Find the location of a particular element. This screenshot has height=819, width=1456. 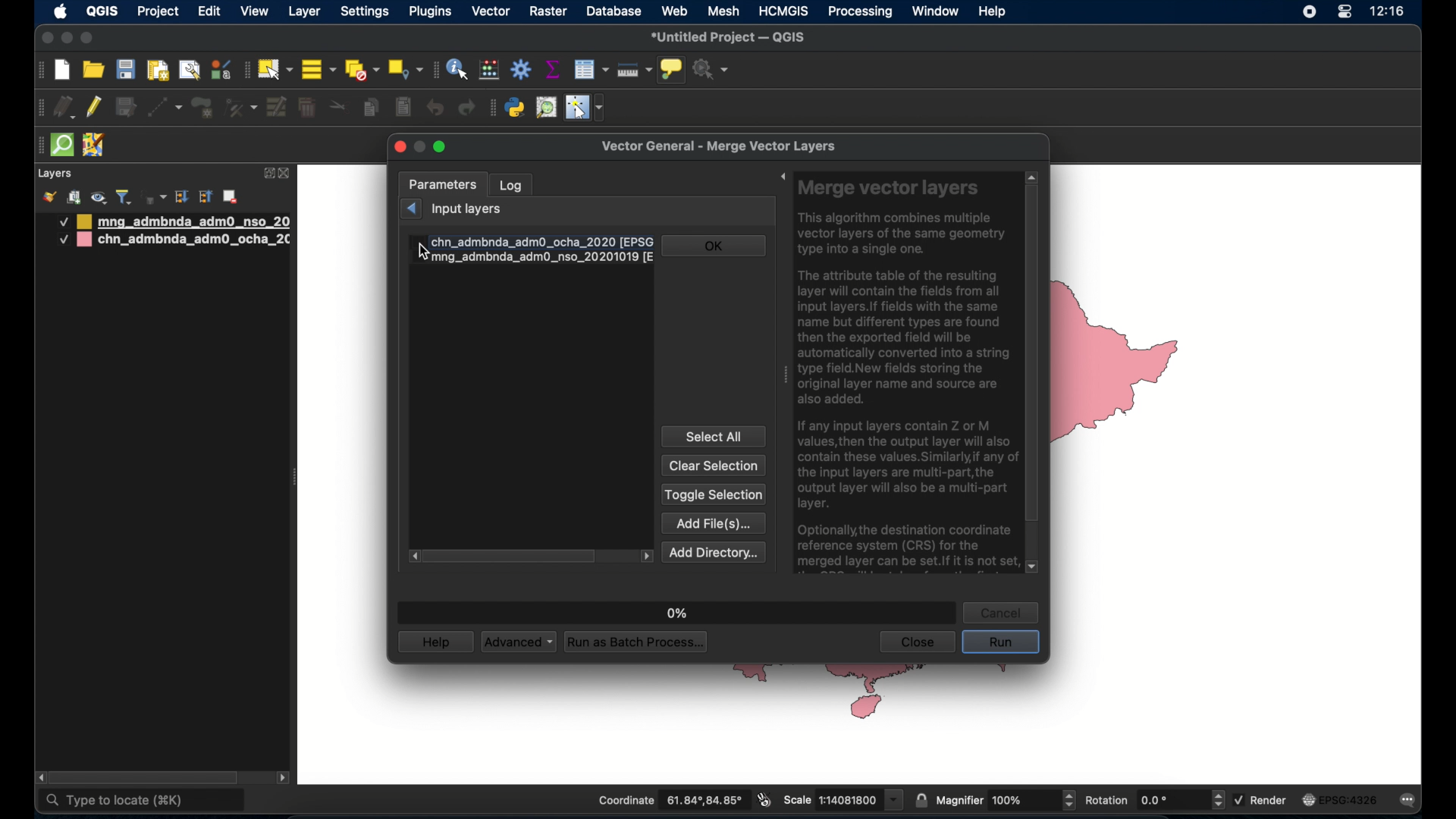

scroll box is located at coordinates (149, 777).